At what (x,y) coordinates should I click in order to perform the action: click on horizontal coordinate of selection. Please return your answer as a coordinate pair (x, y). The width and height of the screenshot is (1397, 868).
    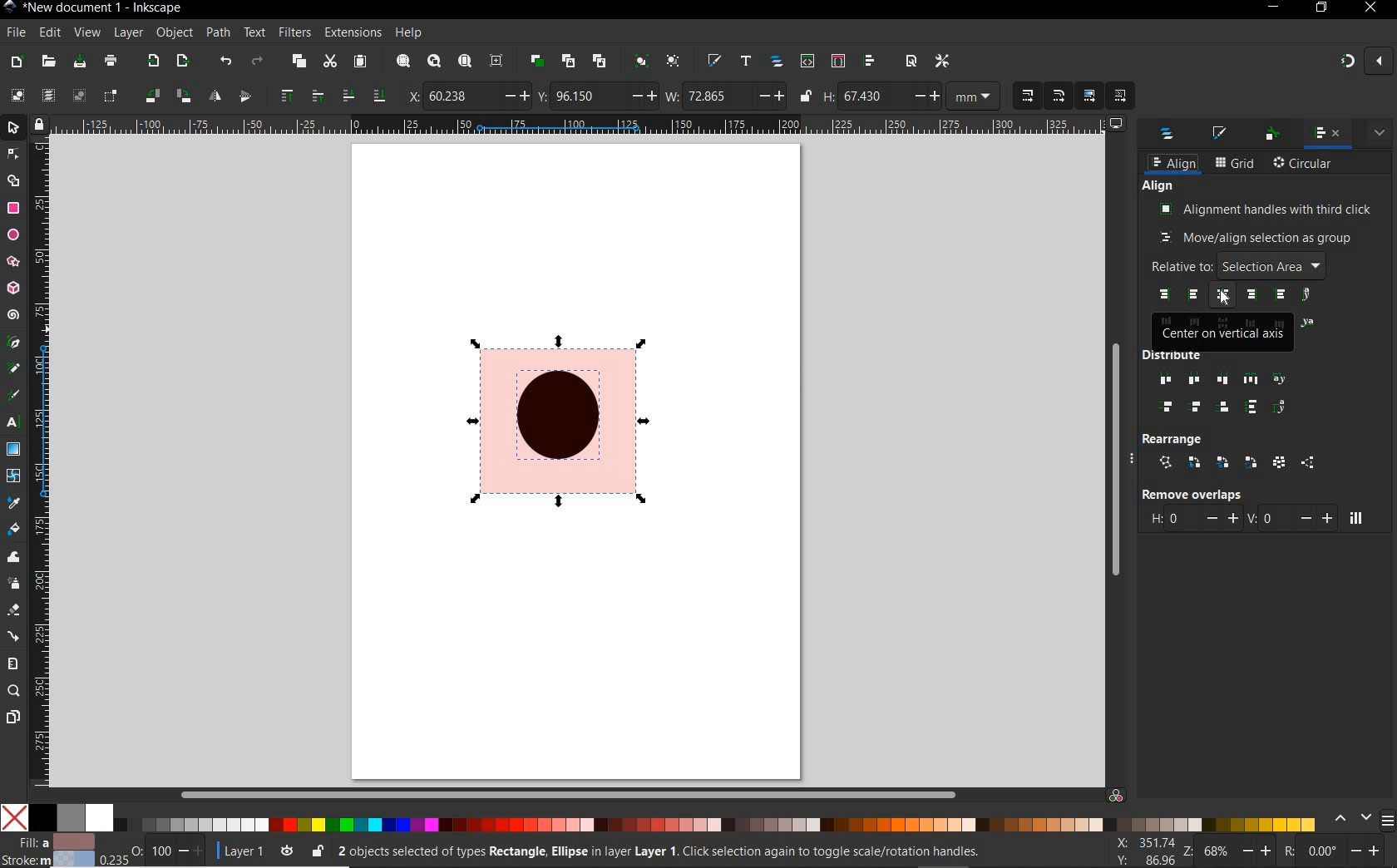
    Looking at the image, I should click on (468, 96).